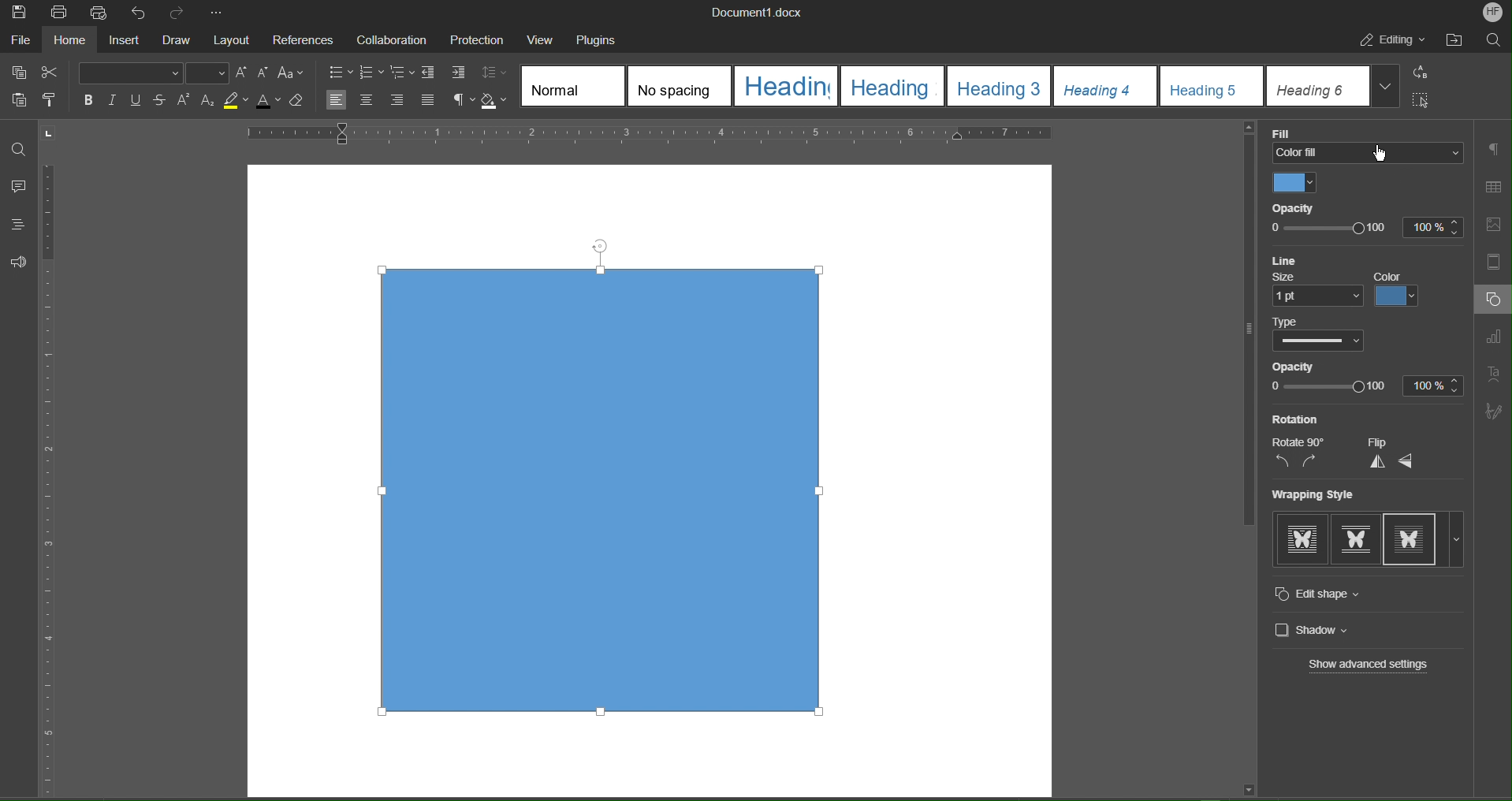 The height and width of the screenshot is (801, 1512). Describe the element at coordinates (497, 102) in the screenshot. I see `Shadow` at that location.